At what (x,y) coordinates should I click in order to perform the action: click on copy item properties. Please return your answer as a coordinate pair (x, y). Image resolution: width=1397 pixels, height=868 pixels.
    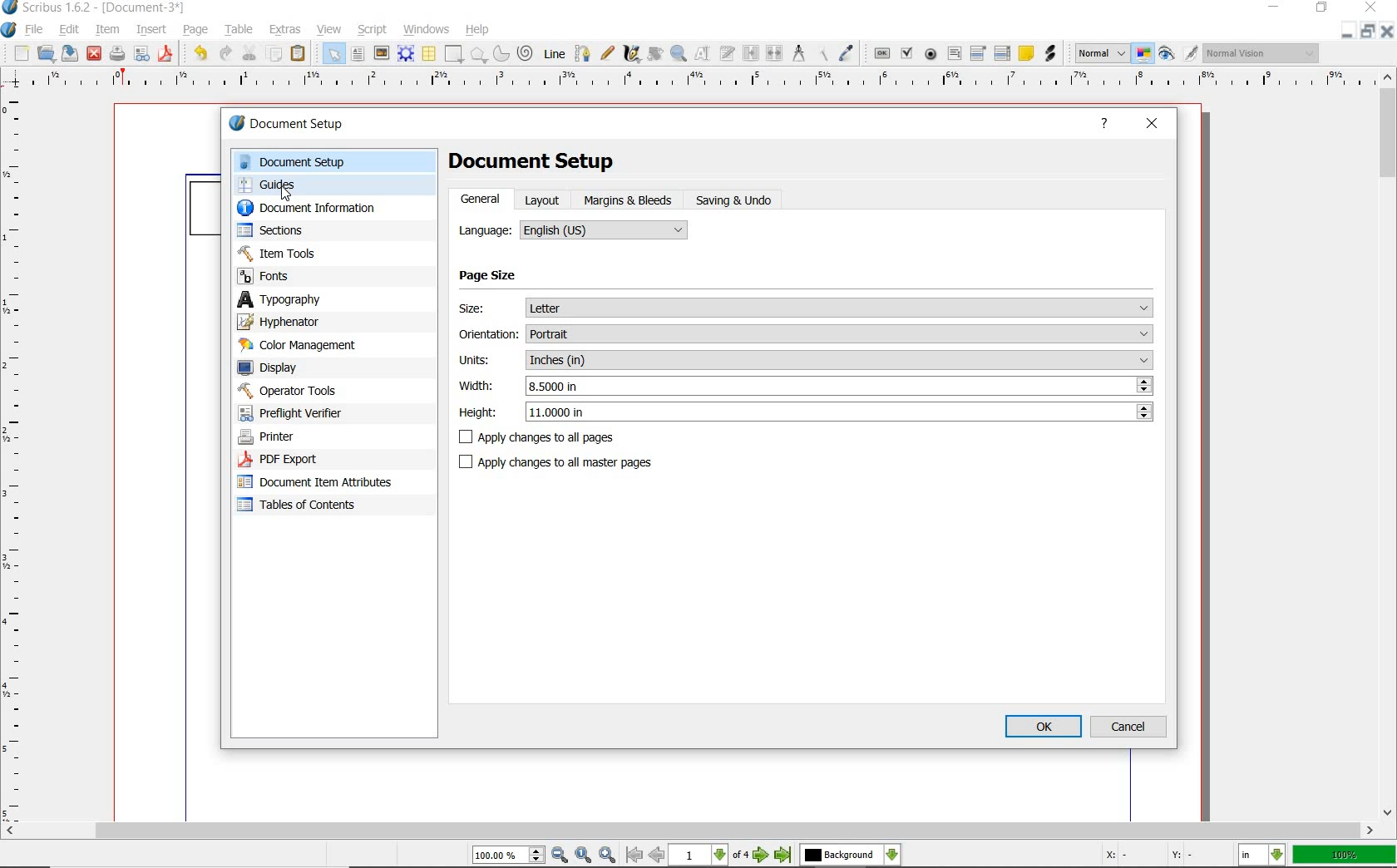
    Looking at the image, I should click on (821, 52).